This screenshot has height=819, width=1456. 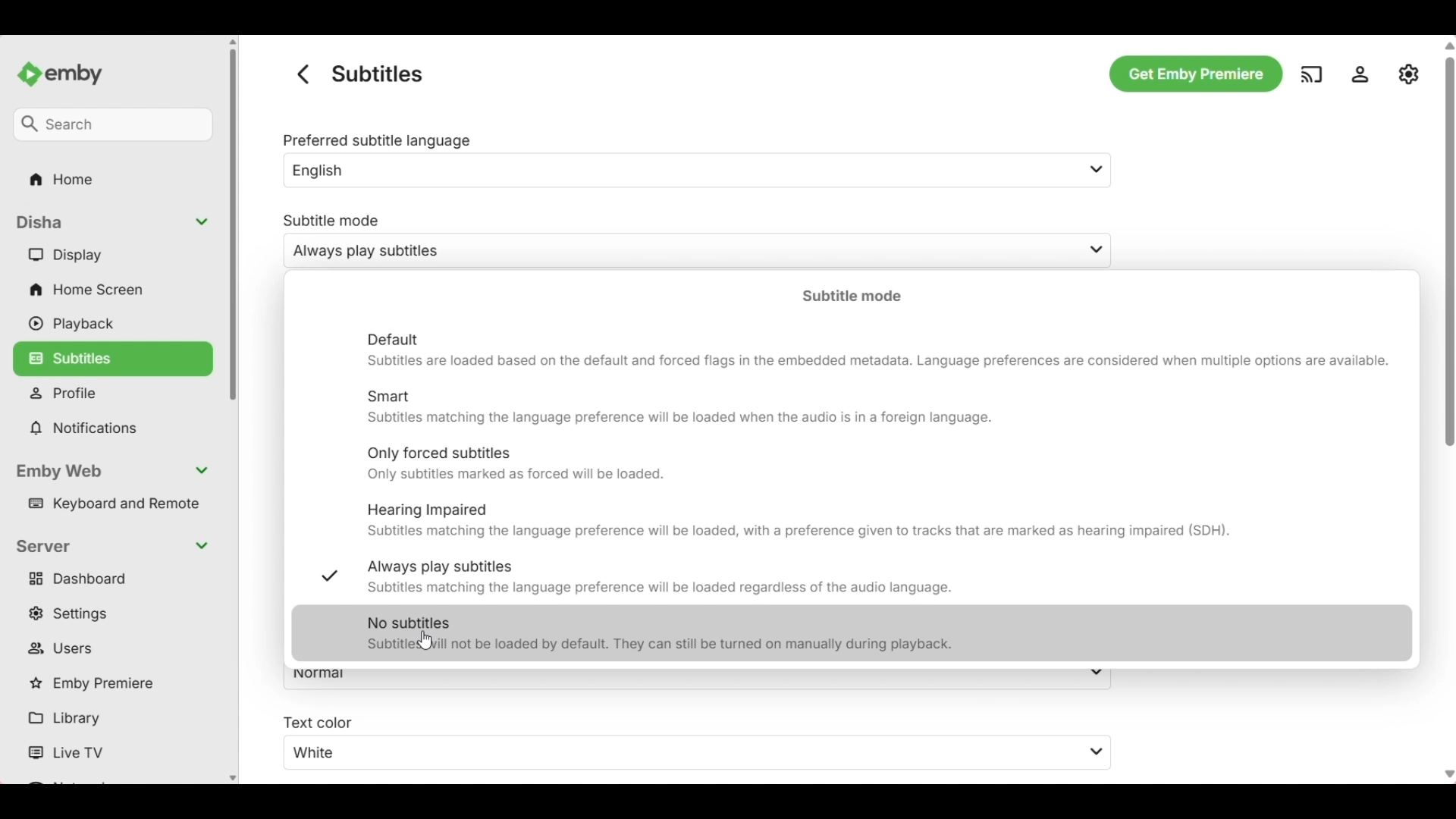 What do you see at coordinates (117, 504) in the screenshot?
I see `Keyboard and Remote` at bounding box center [117, 504].